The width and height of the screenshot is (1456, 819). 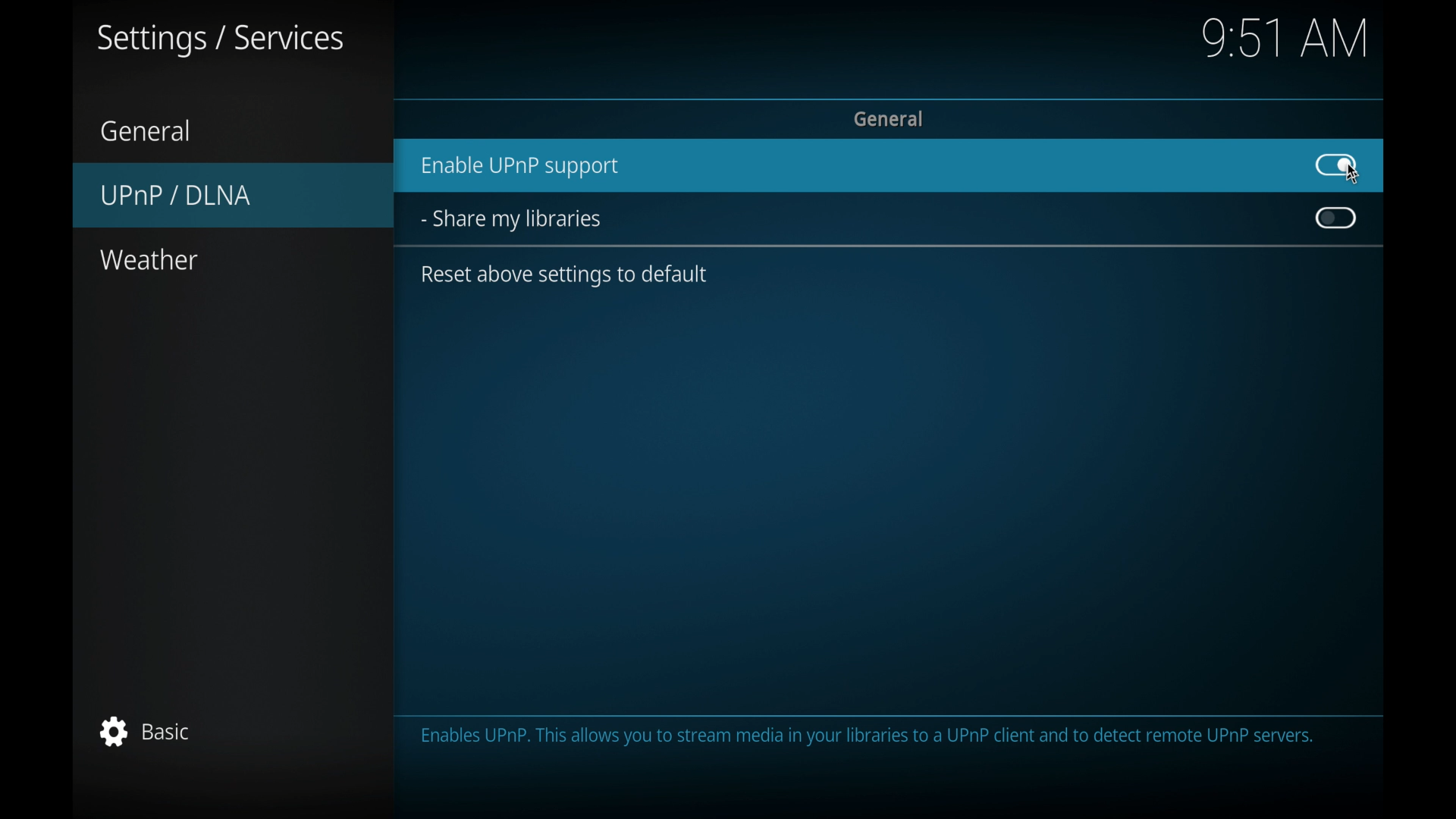 What do you see at coordinates (1335, 165) in the screenshot?
I see `radio button on` at bounding box center [1335, 165].